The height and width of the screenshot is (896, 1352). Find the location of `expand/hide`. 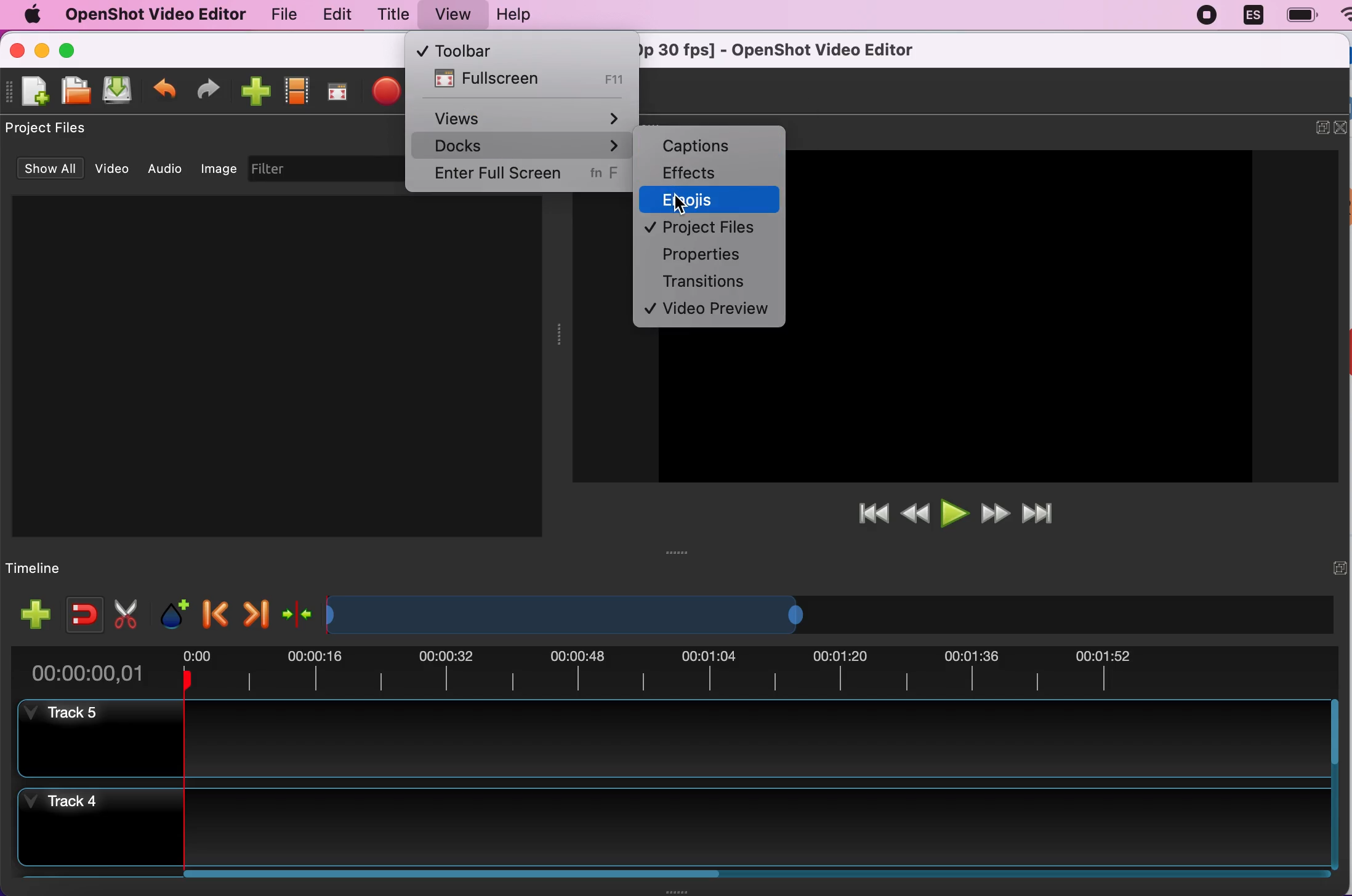

expand/hide is located at coordinates (1322, 126).